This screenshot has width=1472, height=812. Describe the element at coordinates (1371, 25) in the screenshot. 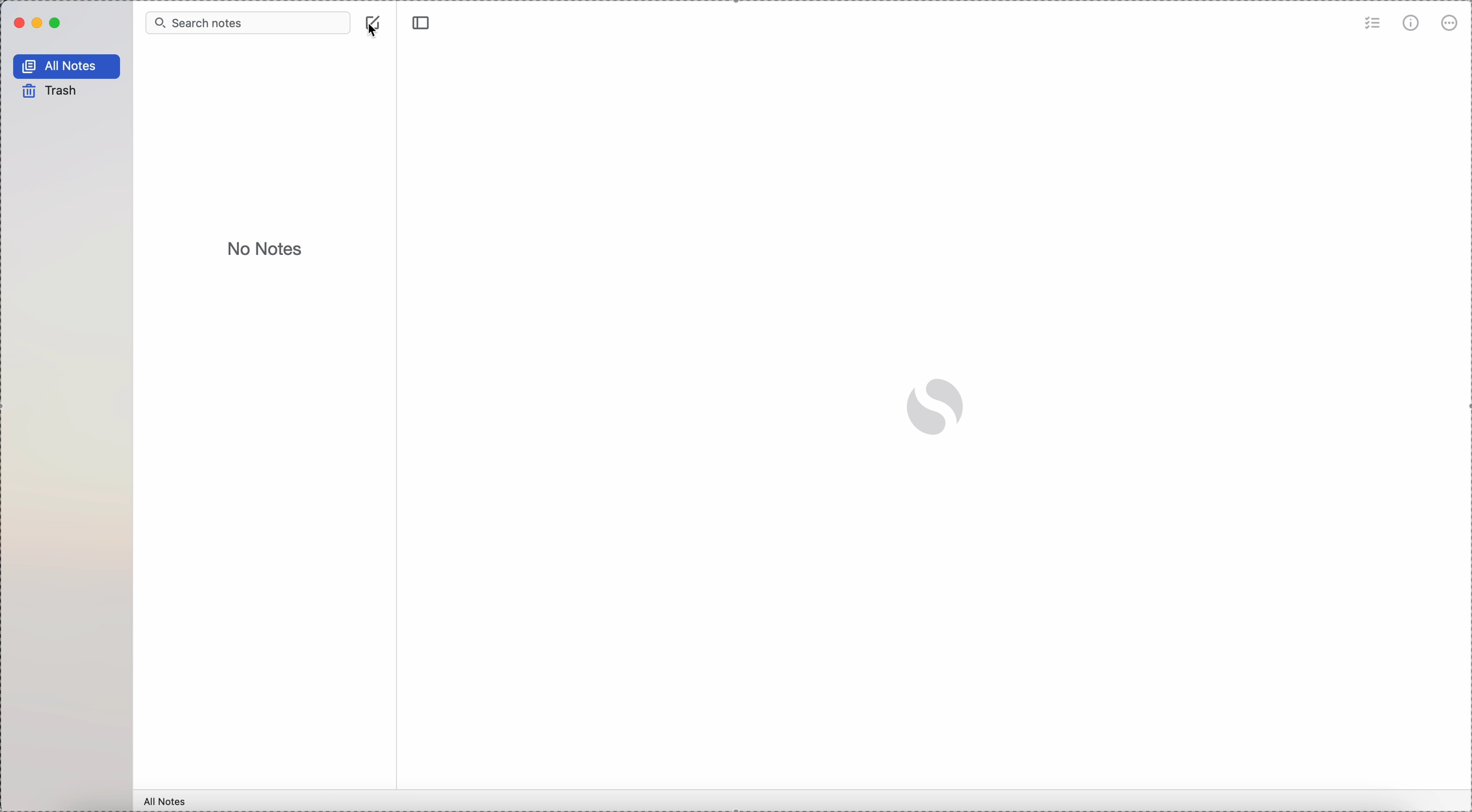

I see `check list` at that location.